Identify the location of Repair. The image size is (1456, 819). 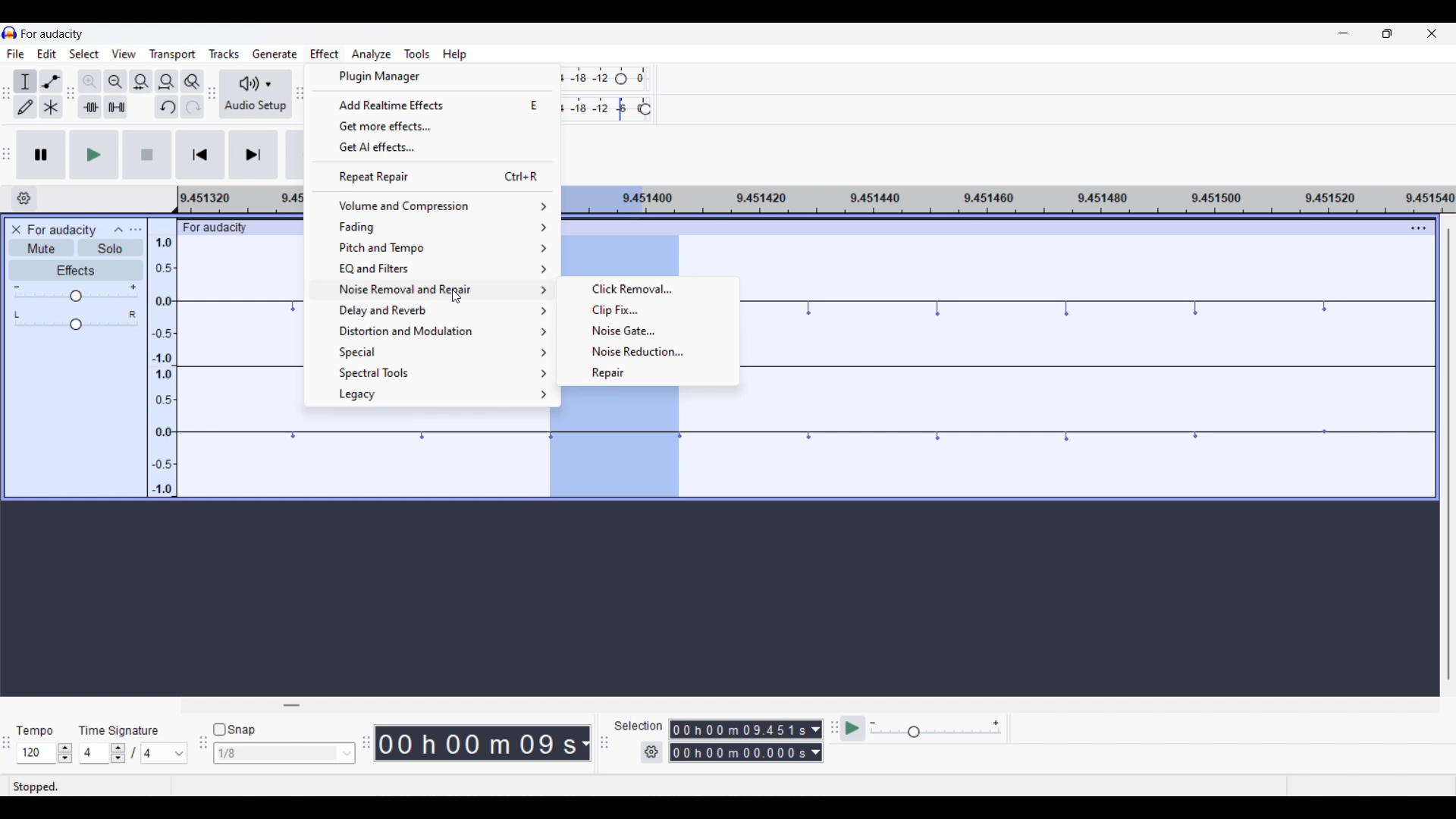
(648, 372).